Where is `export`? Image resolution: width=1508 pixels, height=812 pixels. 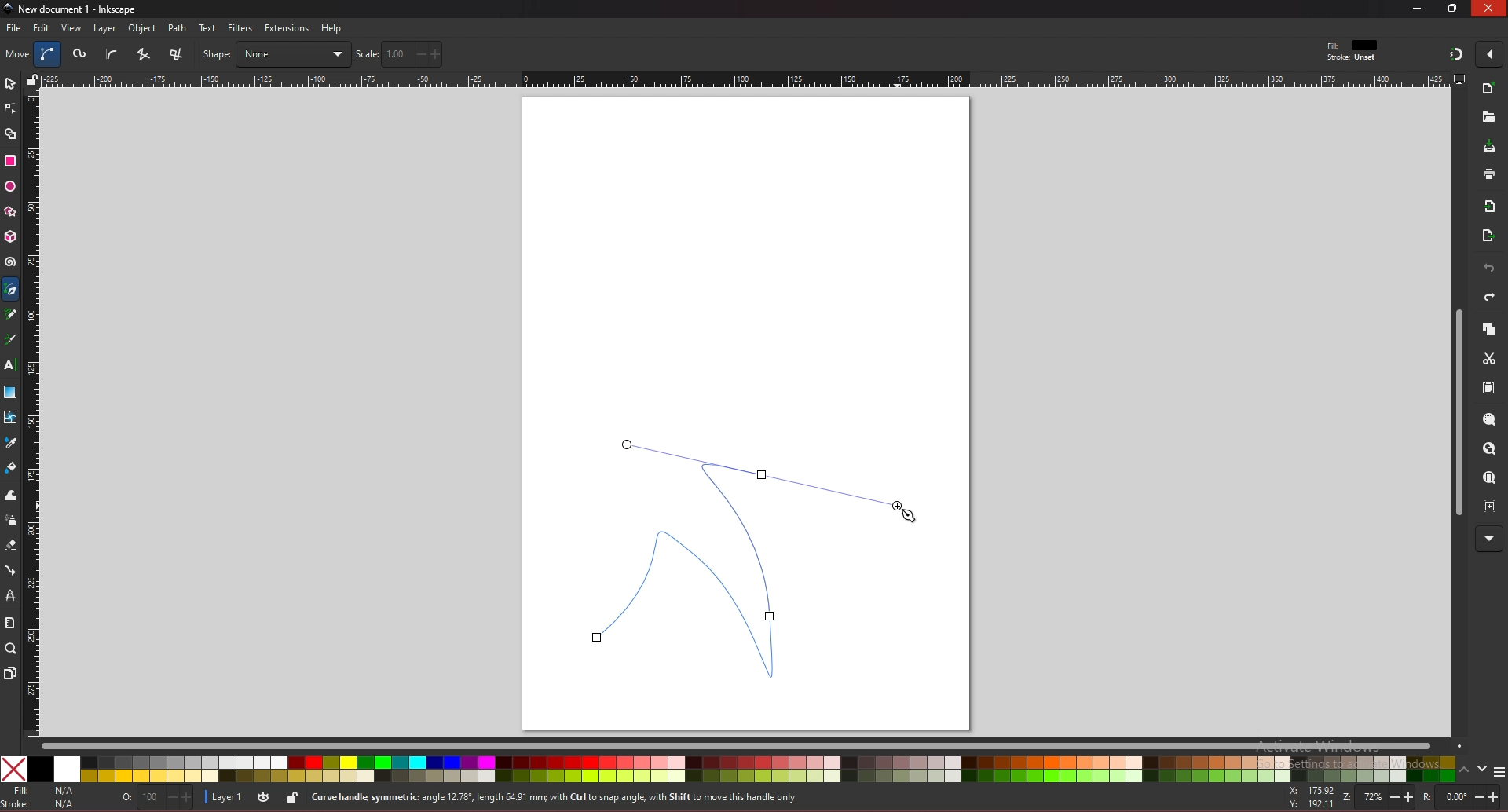 export is located at coordinates (1488, 236).